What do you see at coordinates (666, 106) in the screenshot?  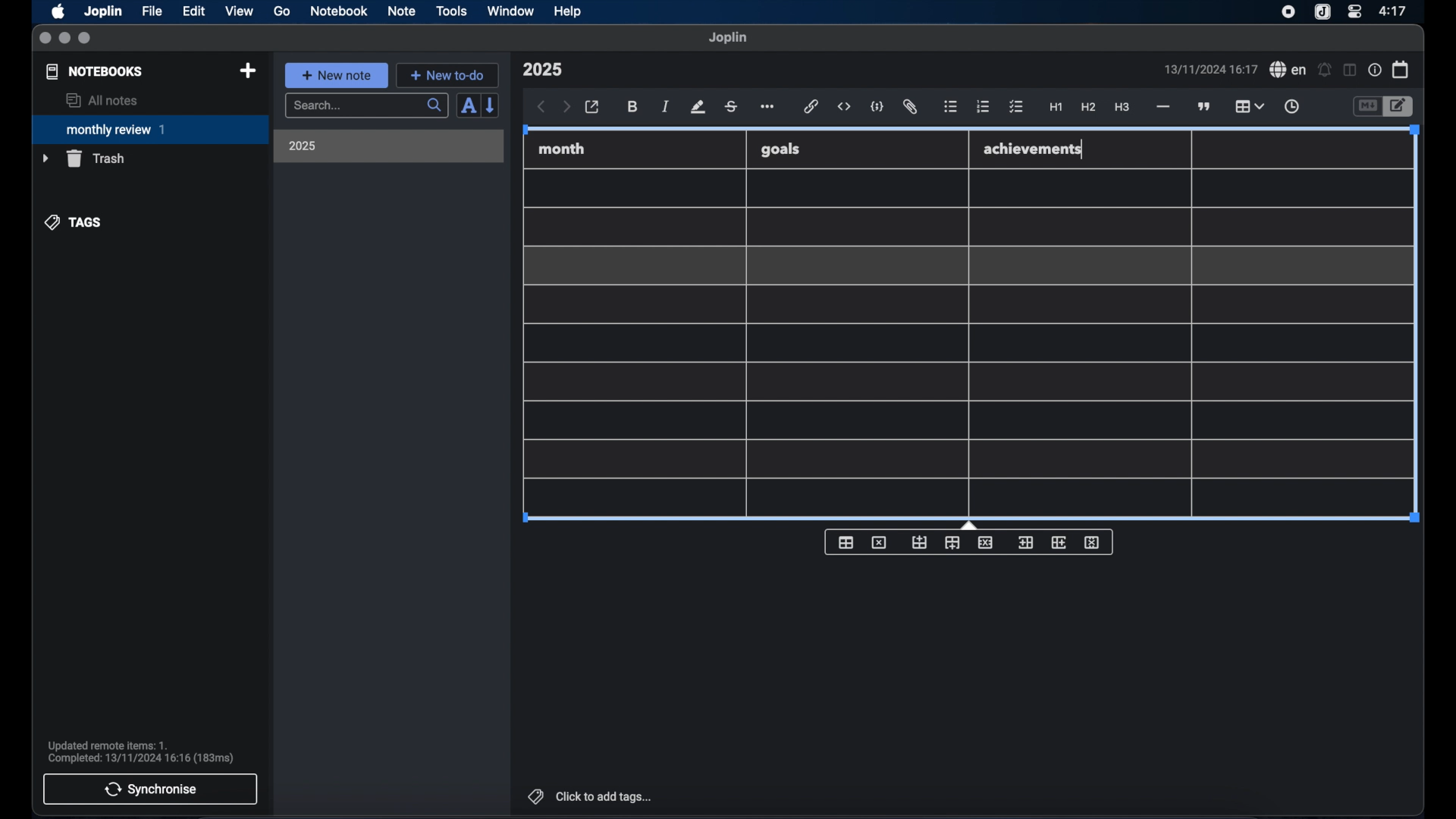 I see `italic` at bounding box center [666, 106].